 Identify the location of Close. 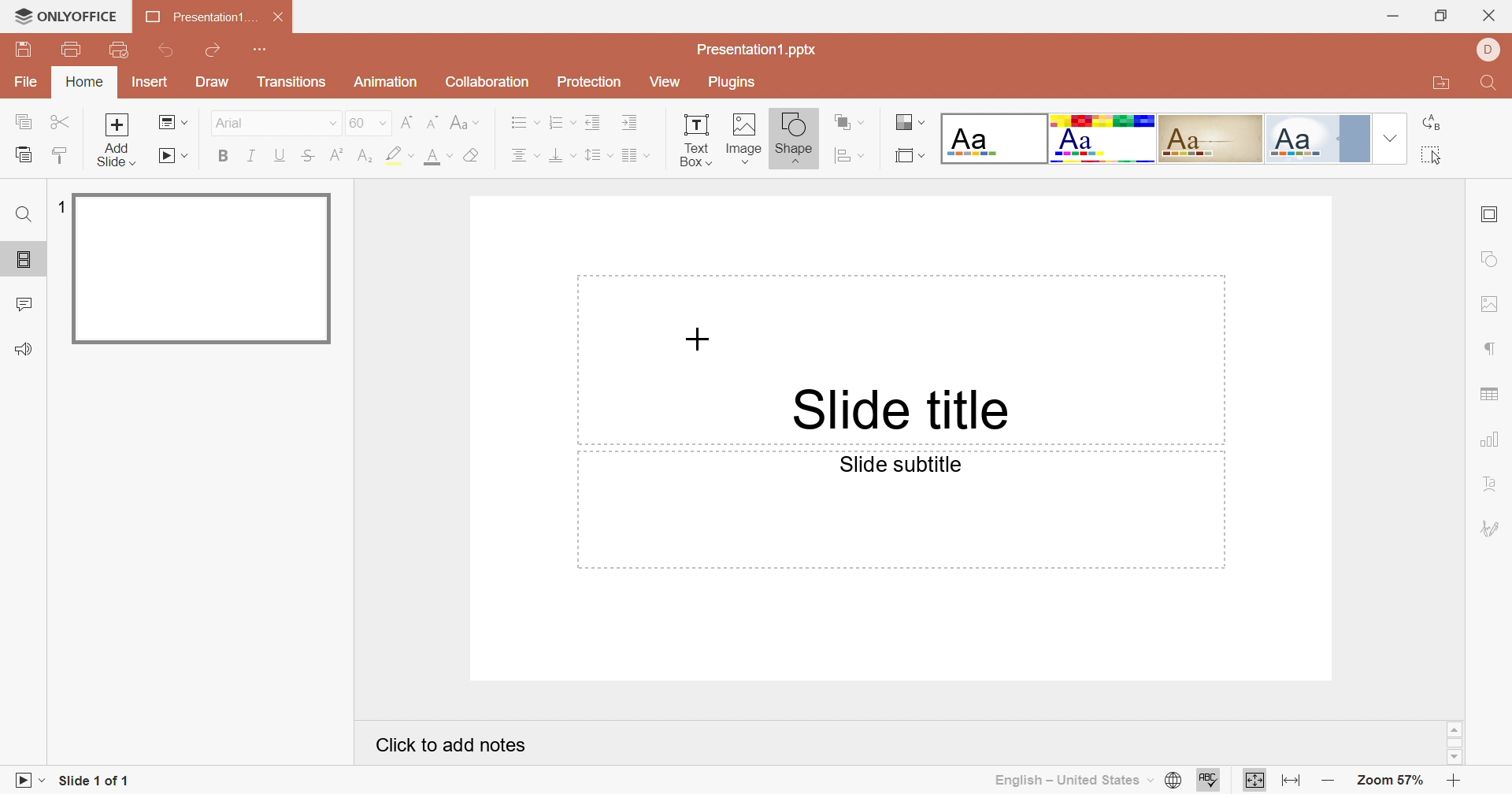
(1488, 17).